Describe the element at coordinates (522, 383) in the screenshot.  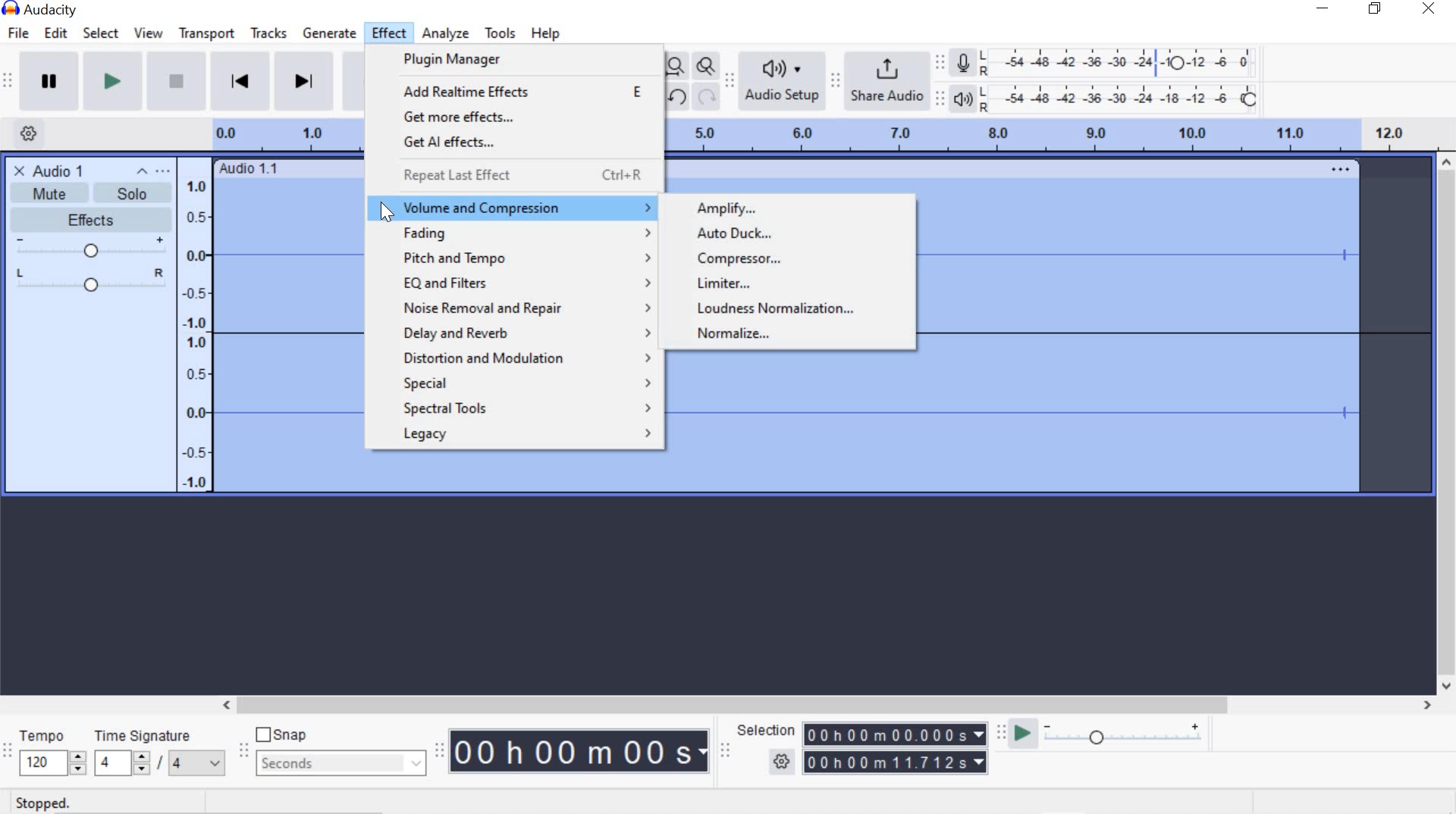
I see `special` at that location.